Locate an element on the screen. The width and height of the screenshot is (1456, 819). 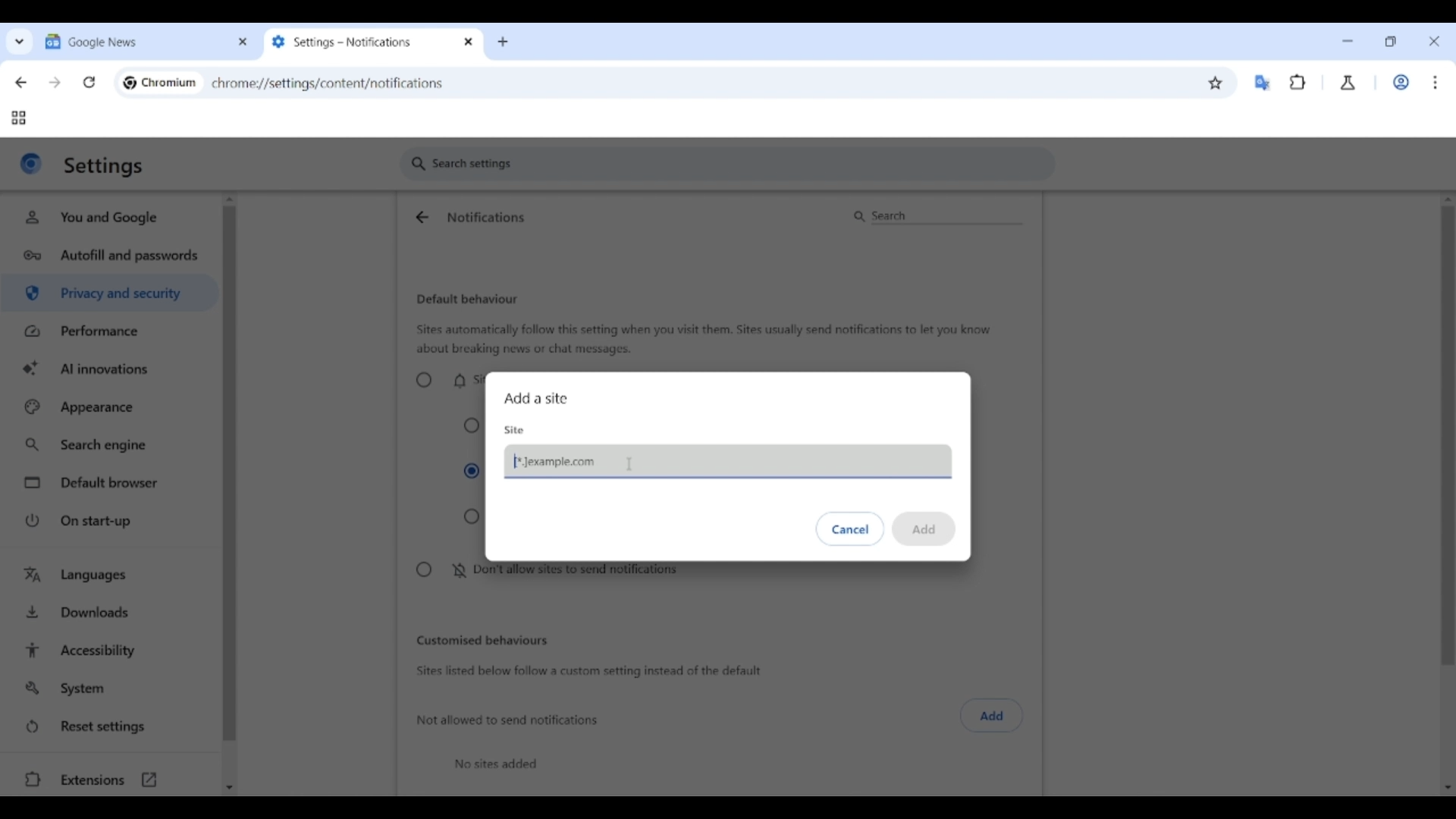
Sites can ask to send notifications is located at coordinates (447, 380).